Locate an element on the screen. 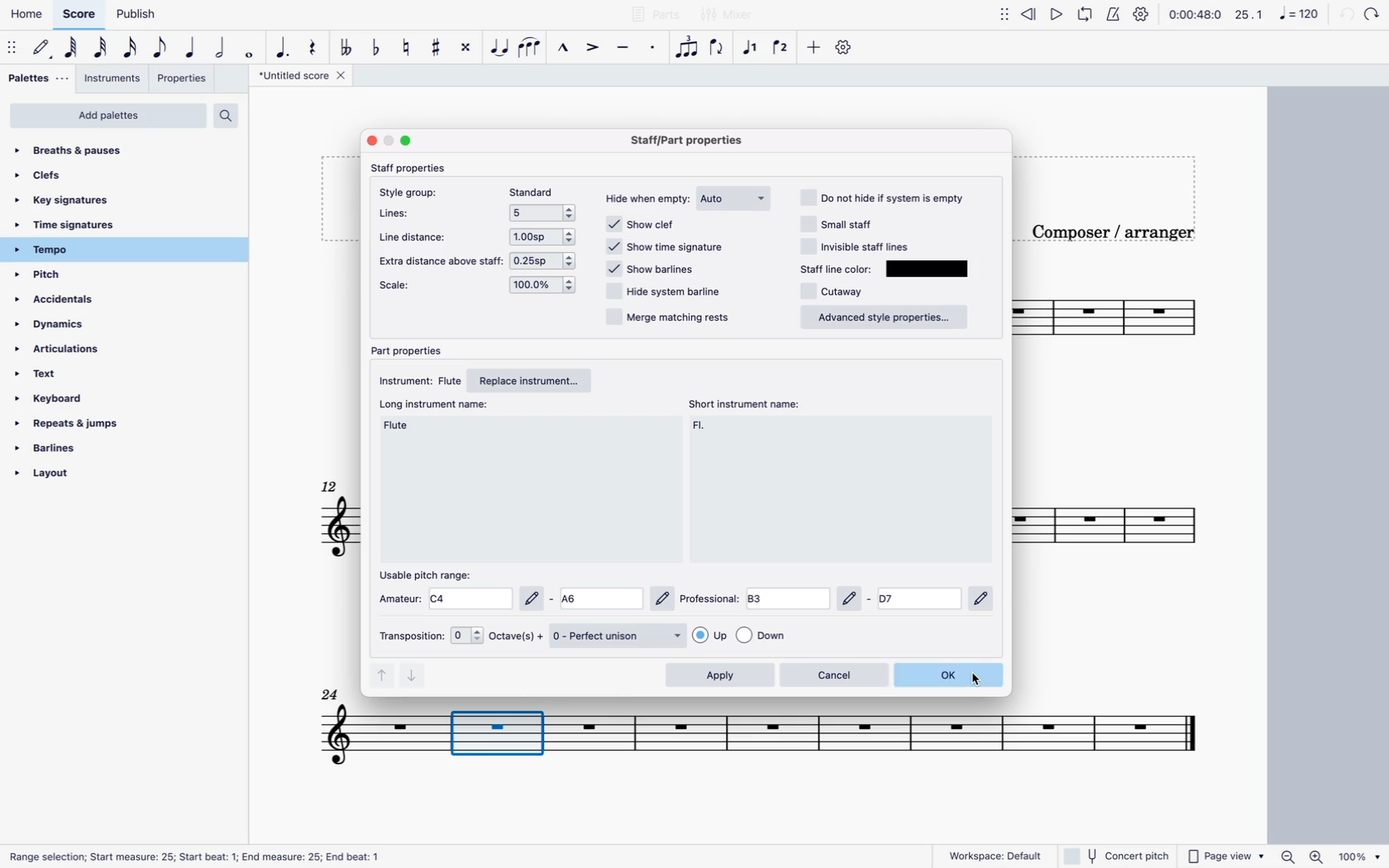  score is located at coordinates (908, 736).